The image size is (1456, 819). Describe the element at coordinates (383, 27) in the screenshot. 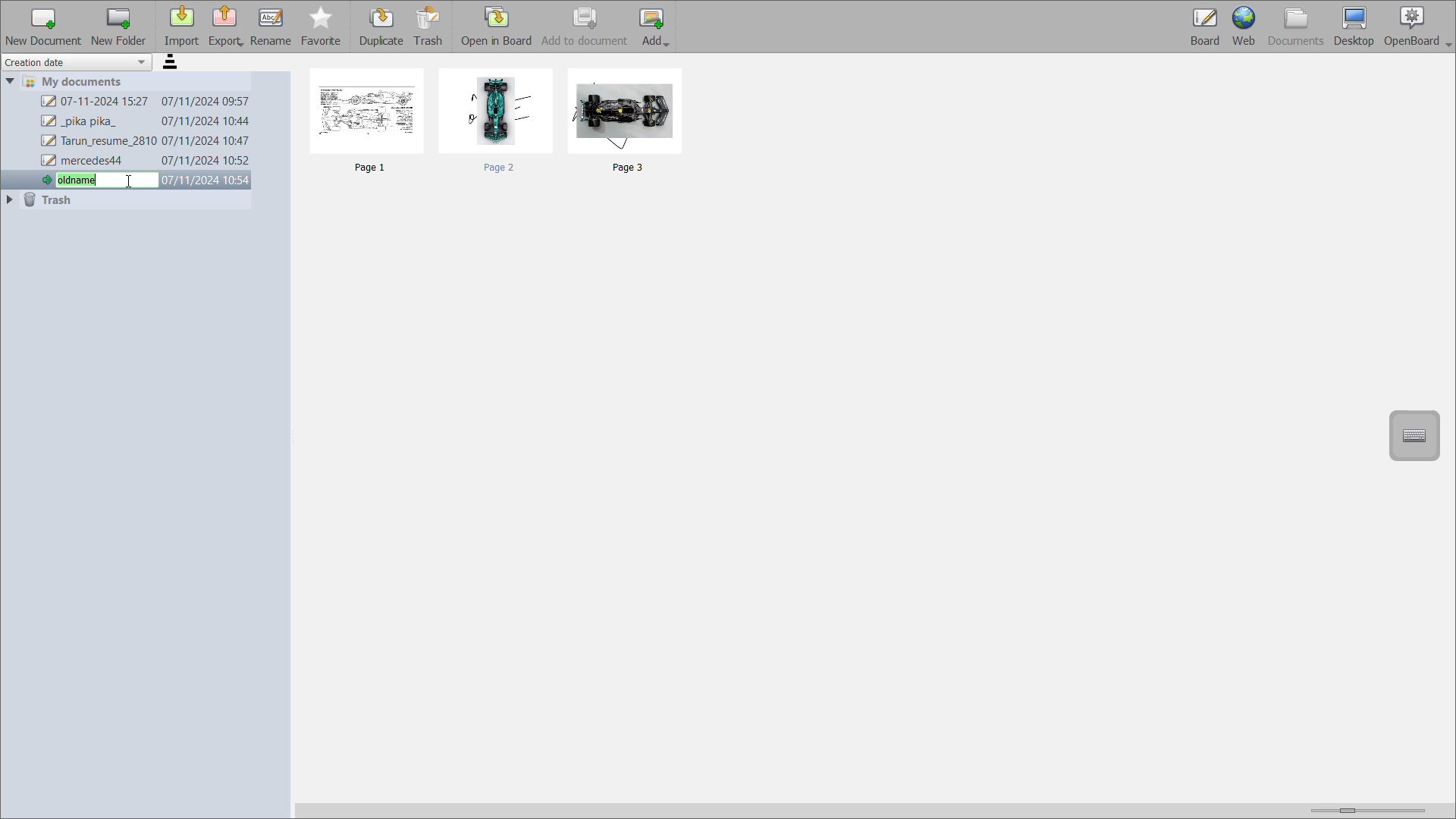

I see `duplicate` at that location.